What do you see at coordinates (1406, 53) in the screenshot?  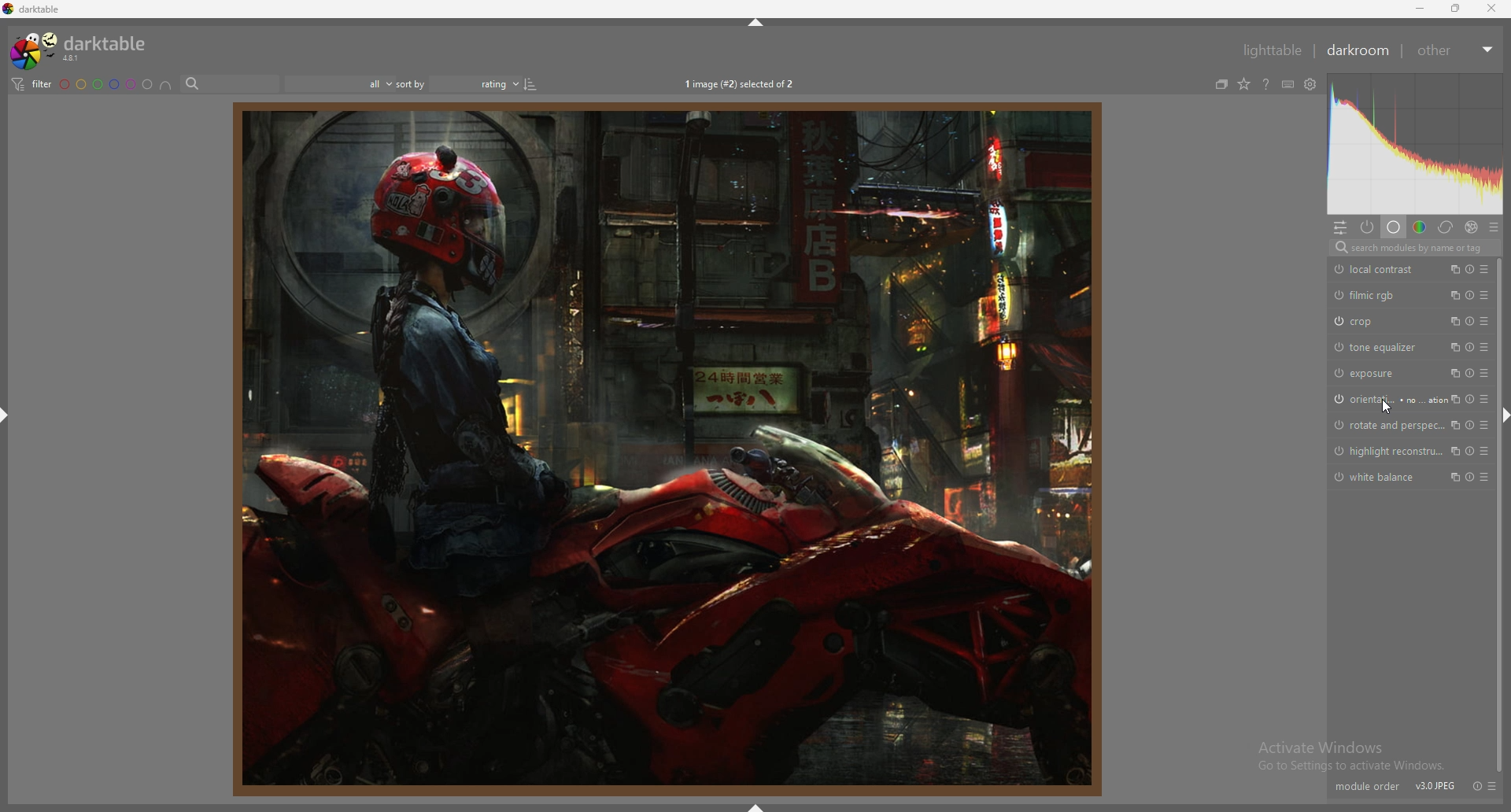 I see `divider` at bounding box center [1406, 53].